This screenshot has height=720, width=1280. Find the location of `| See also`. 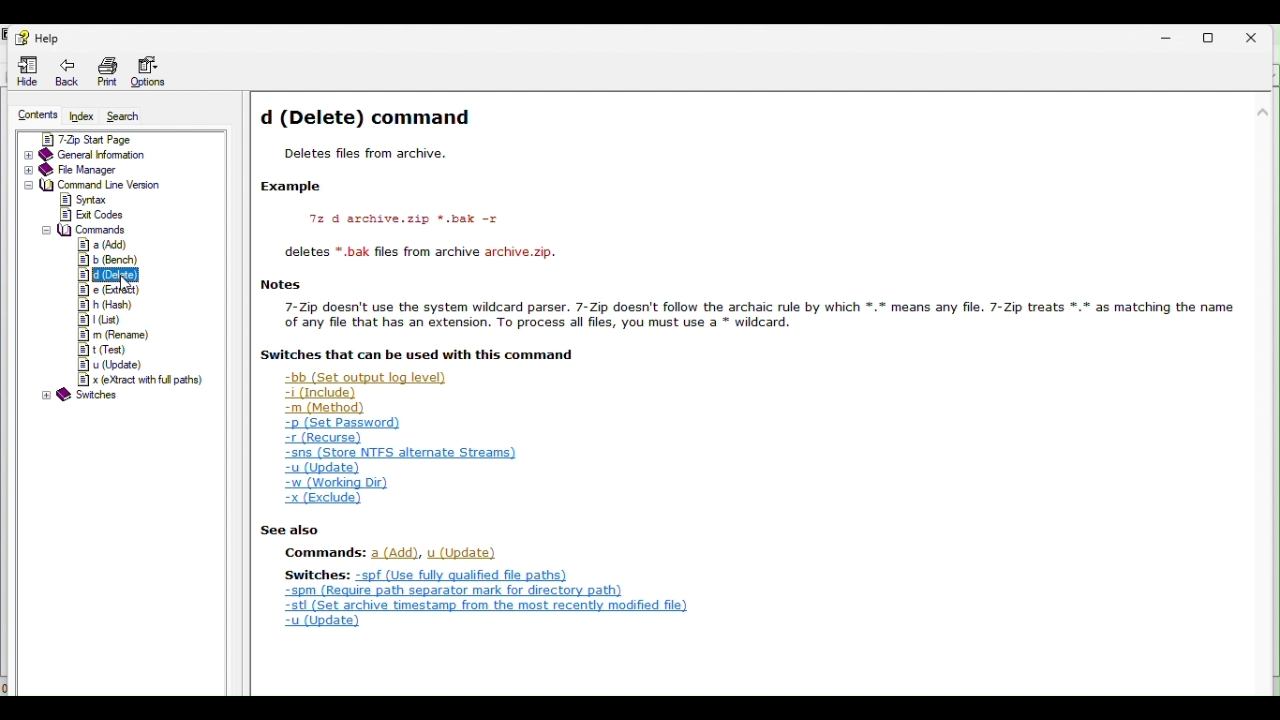

| See also is located at coordinates (294, 529).